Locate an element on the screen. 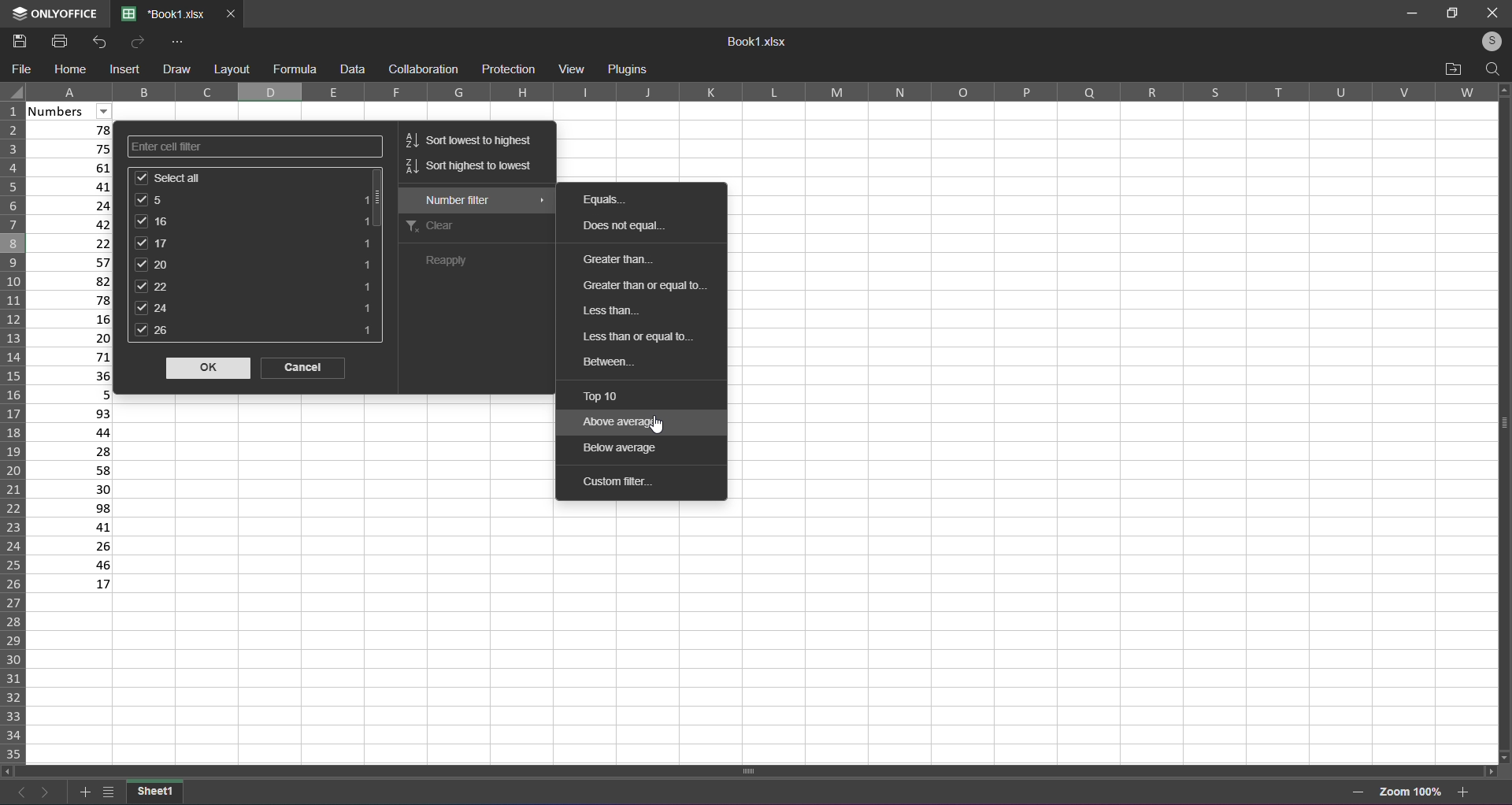 This screenshot has height=805, width=1512. 82 is located at coordinates (74, 280).